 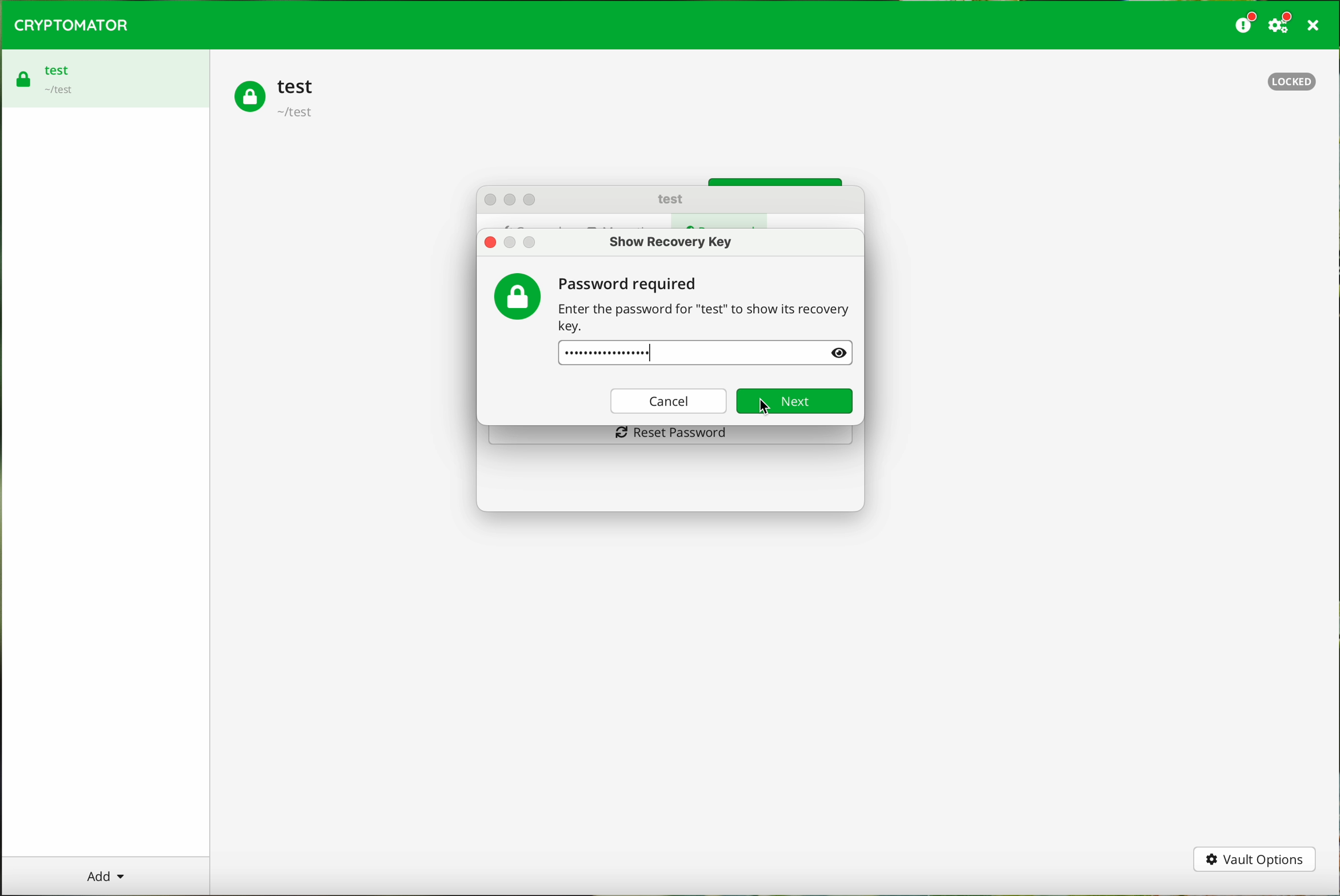 I want to click on close program, so click(x=1317, y=25).